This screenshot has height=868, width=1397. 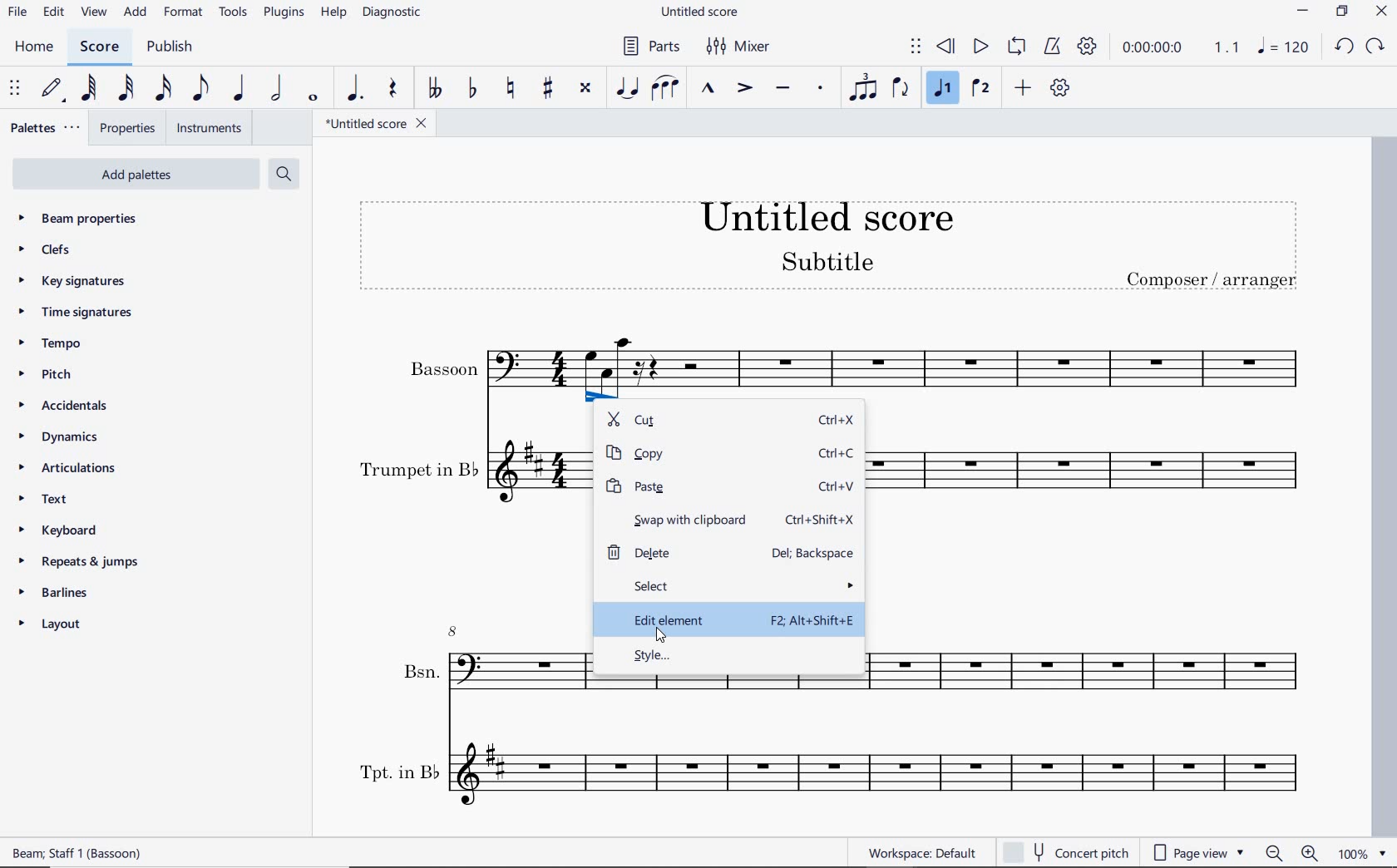 I want to click on play, so click(x=980, y=47).